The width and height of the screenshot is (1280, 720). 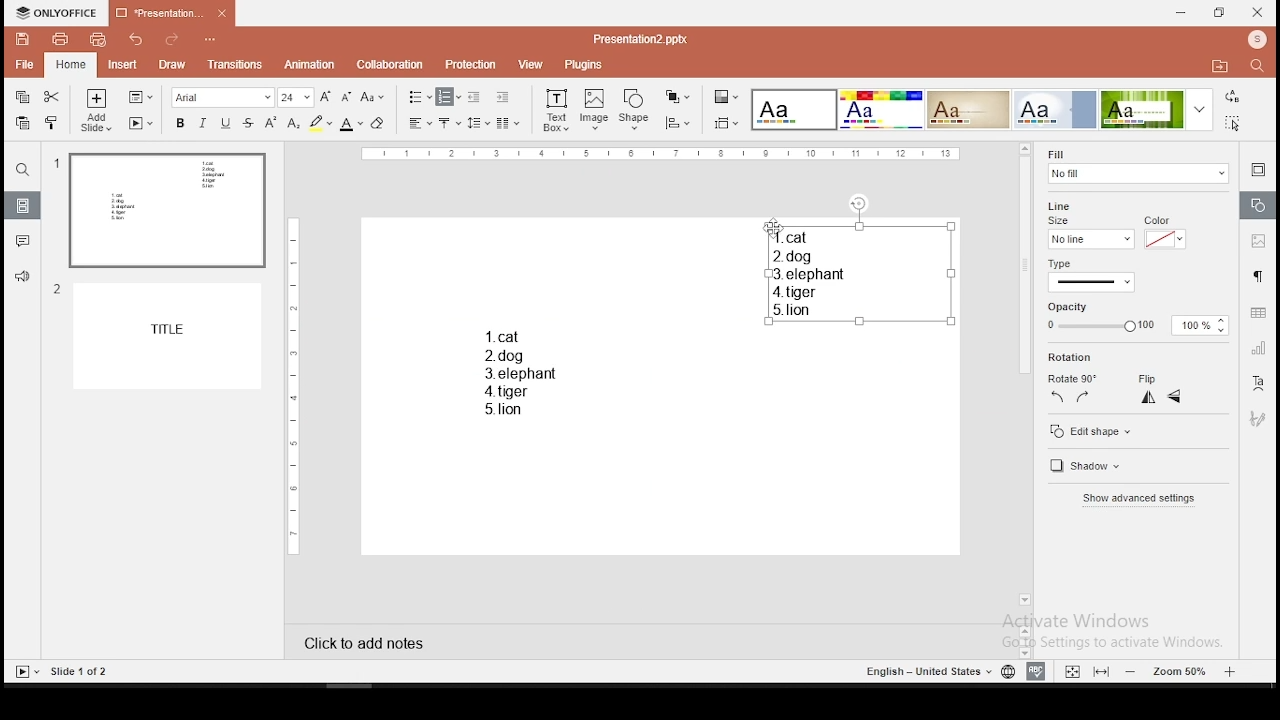 What do you see at coordinates (1256, 350) in the screenshot?
I see `chart settings` at bounding box center [1256, 350].